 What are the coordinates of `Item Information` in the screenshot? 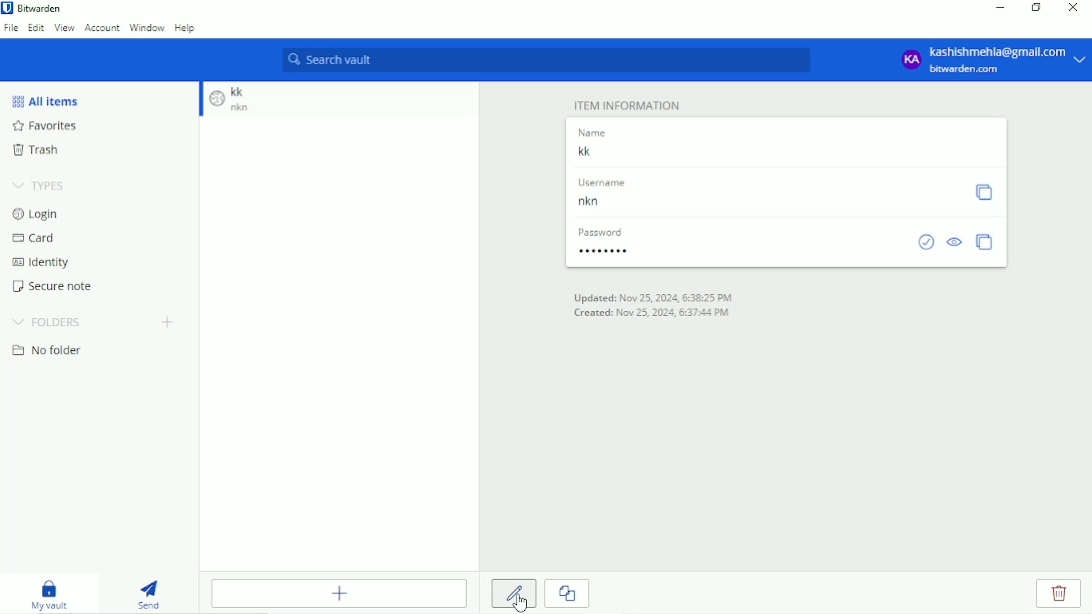 It's located at (627, 105).